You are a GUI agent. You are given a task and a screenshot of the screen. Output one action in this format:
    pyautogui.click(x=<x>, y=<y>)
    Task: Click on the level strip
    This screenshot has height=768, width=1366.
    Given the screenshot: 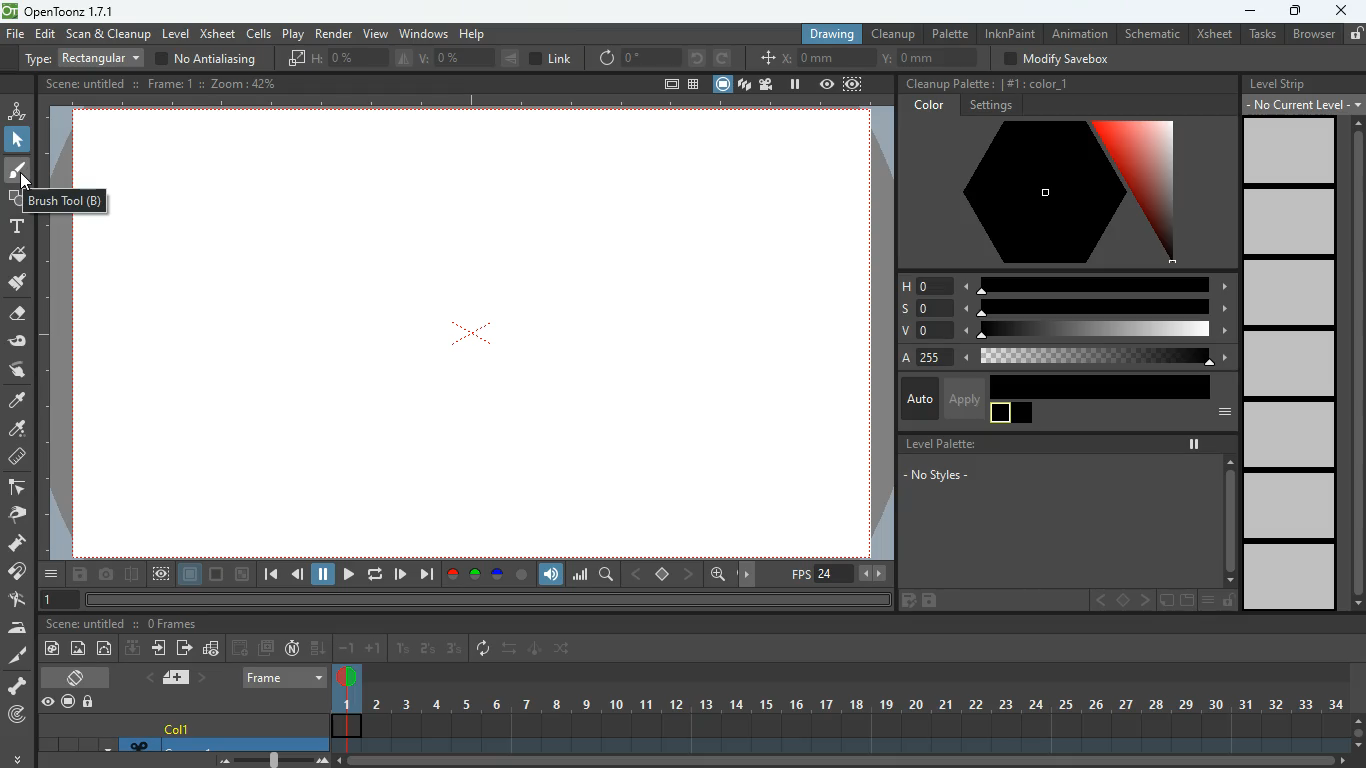 What is the action you would take?
    pyautogui.click(x=1278, y=84)
    